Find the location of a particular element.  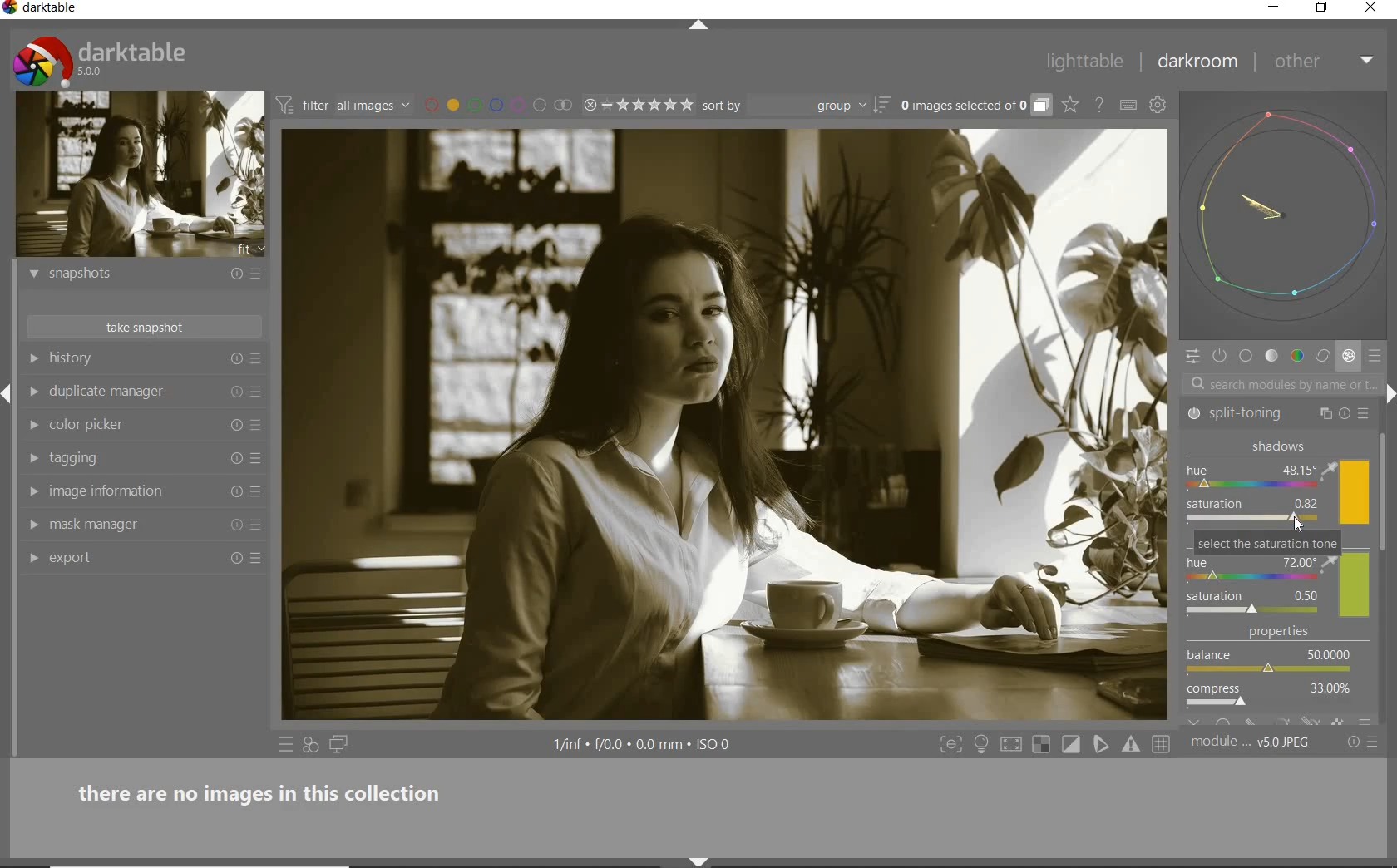

presets and preferences is located at coordinates (255, 359).